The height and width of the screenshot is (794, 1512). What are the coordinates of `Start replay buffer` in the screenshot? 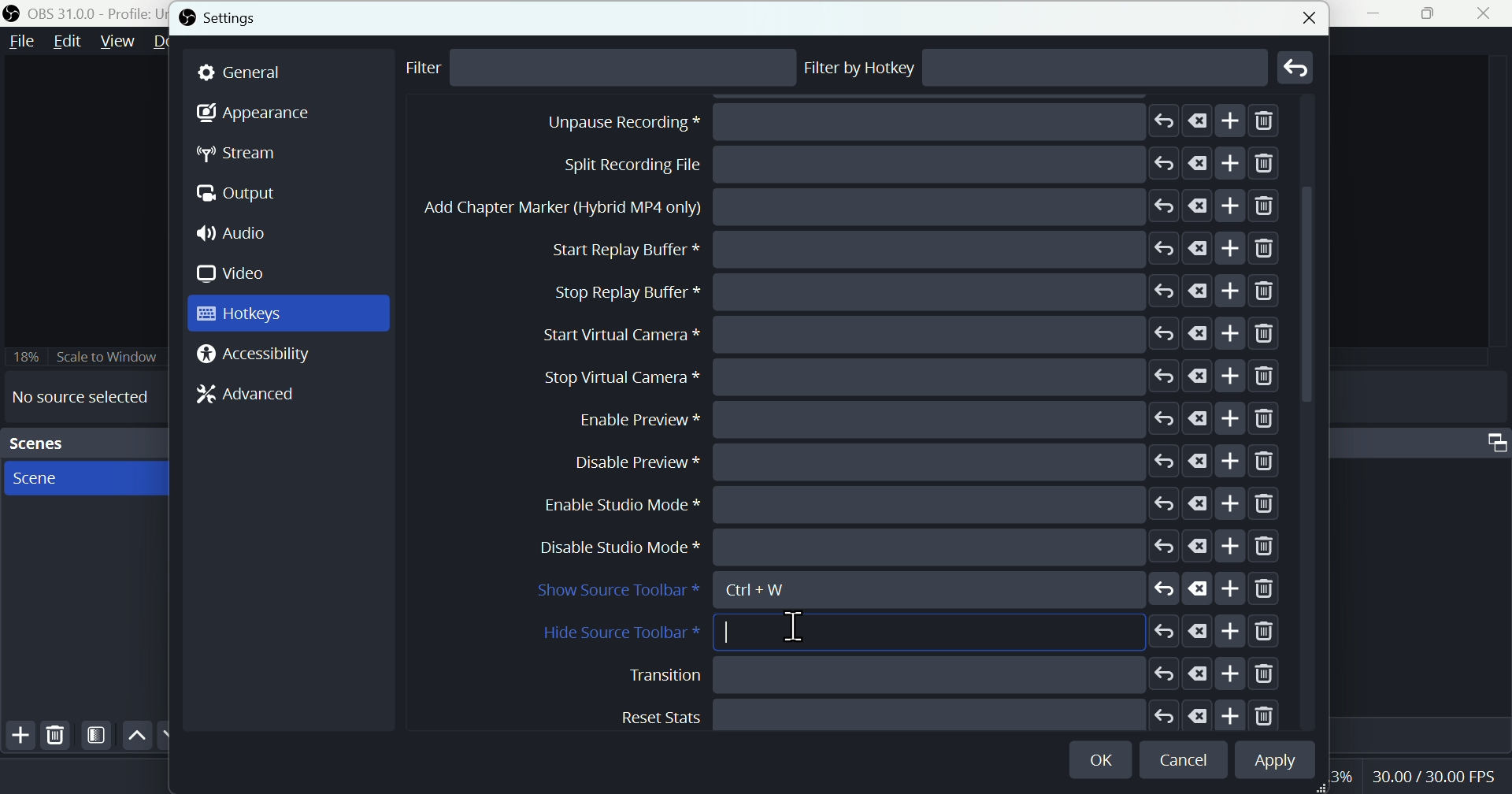 It's located at (915, 417).